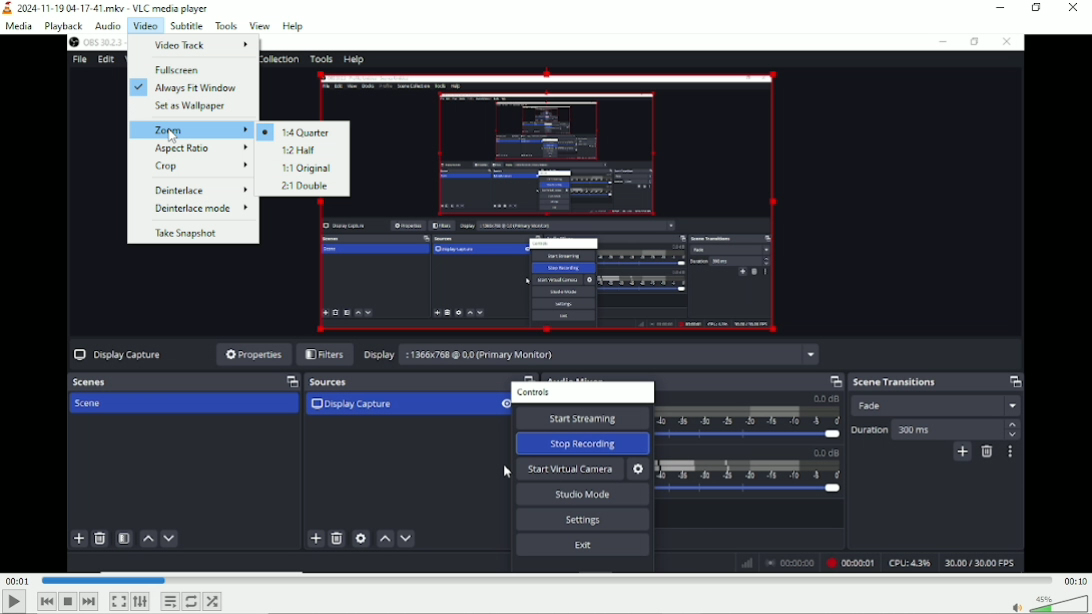  I want to click on restore down, so click(1038, 8).